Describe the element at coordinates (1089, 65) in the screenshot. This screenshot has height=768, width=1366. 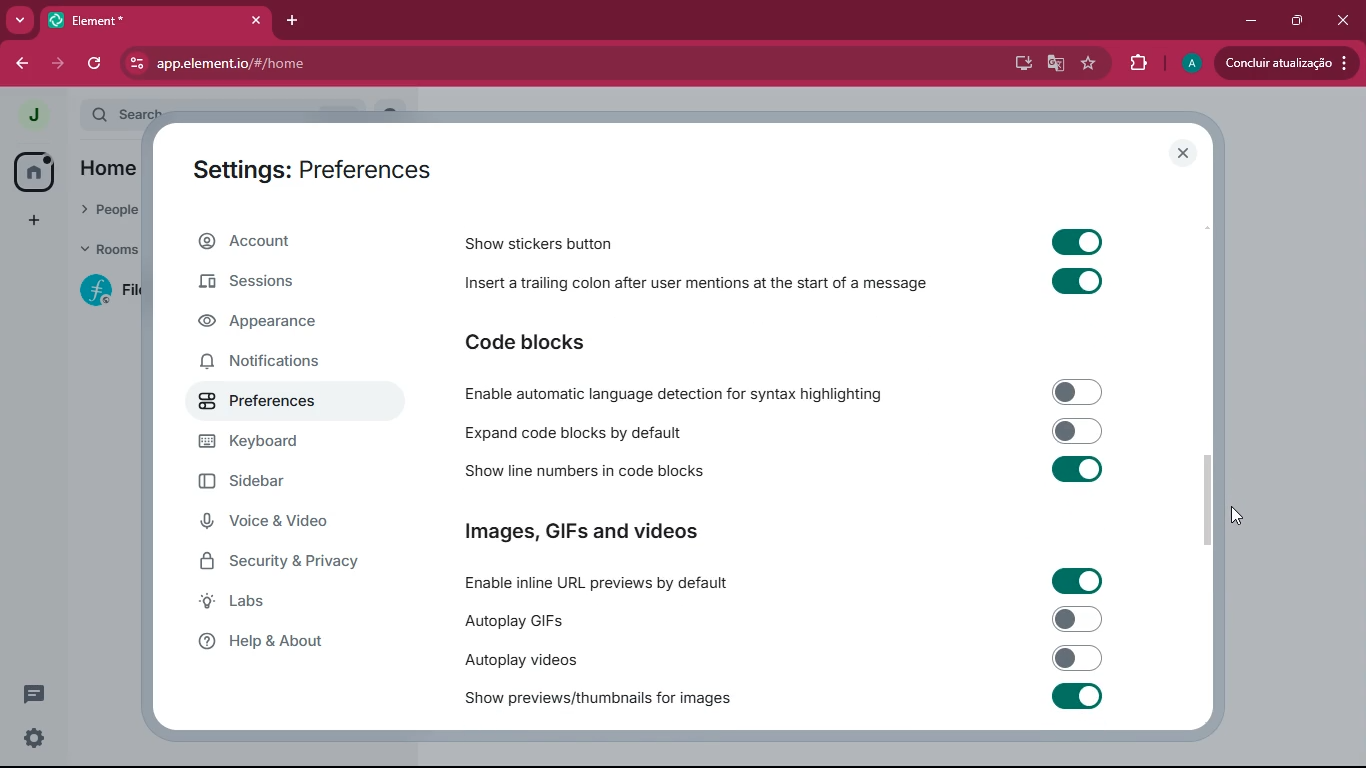
I see `bookmark` at that location.